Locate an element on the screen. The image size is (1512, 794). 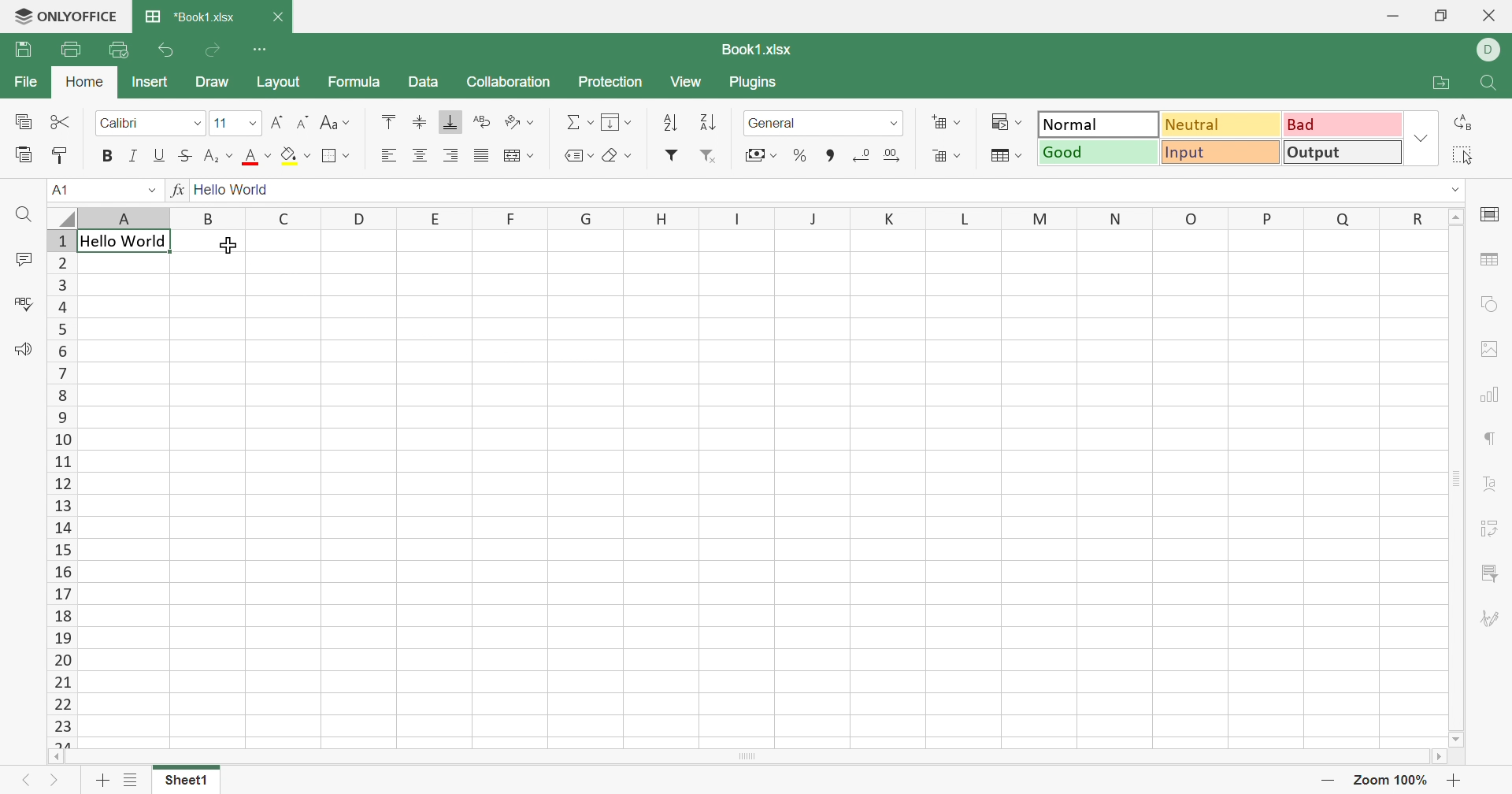
Align right is located at coordinates (450, 155).